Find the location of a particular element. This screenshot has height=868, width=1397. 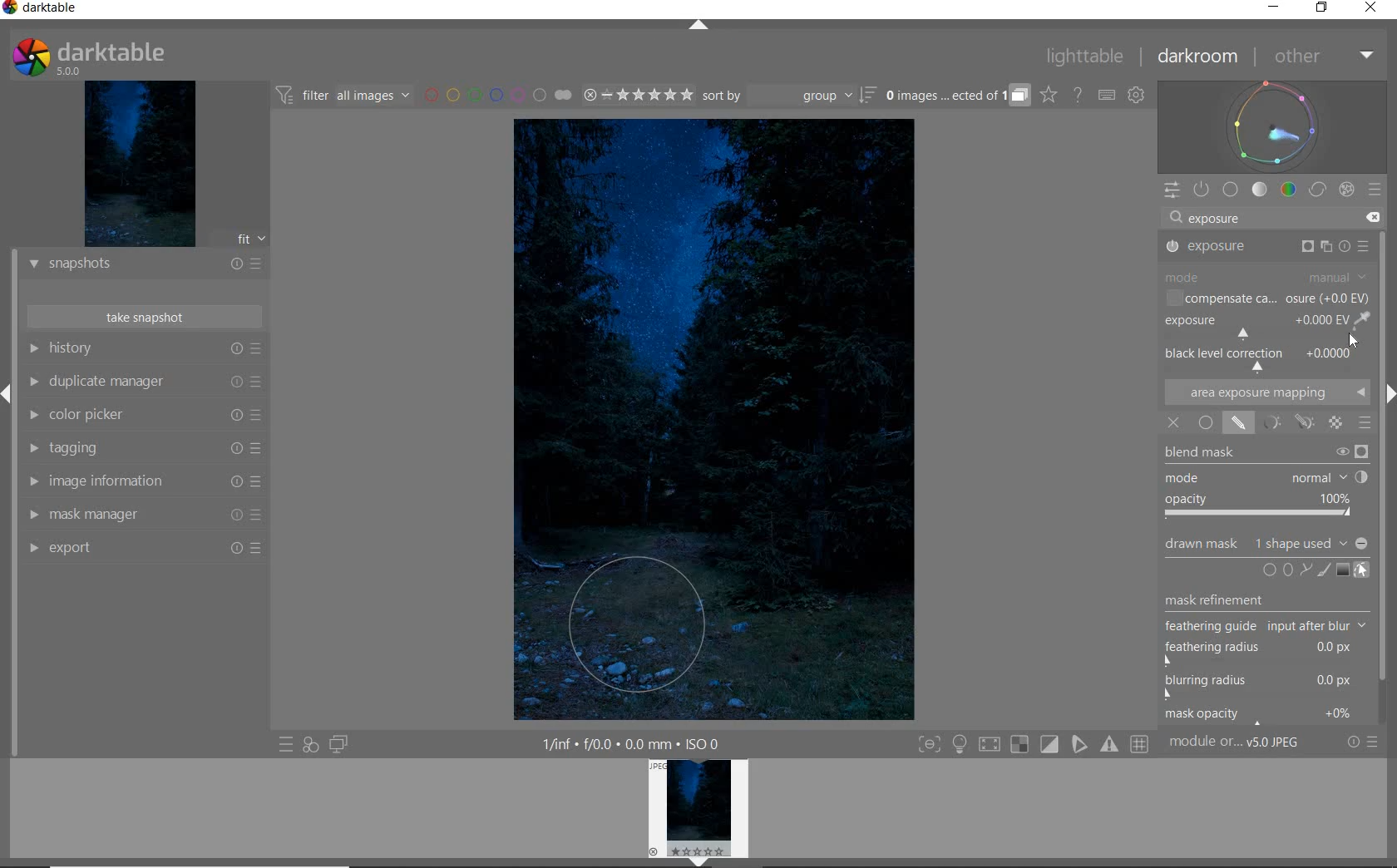

AREA EXPOSURE MAPPING is located at coordinates (1266, 391).